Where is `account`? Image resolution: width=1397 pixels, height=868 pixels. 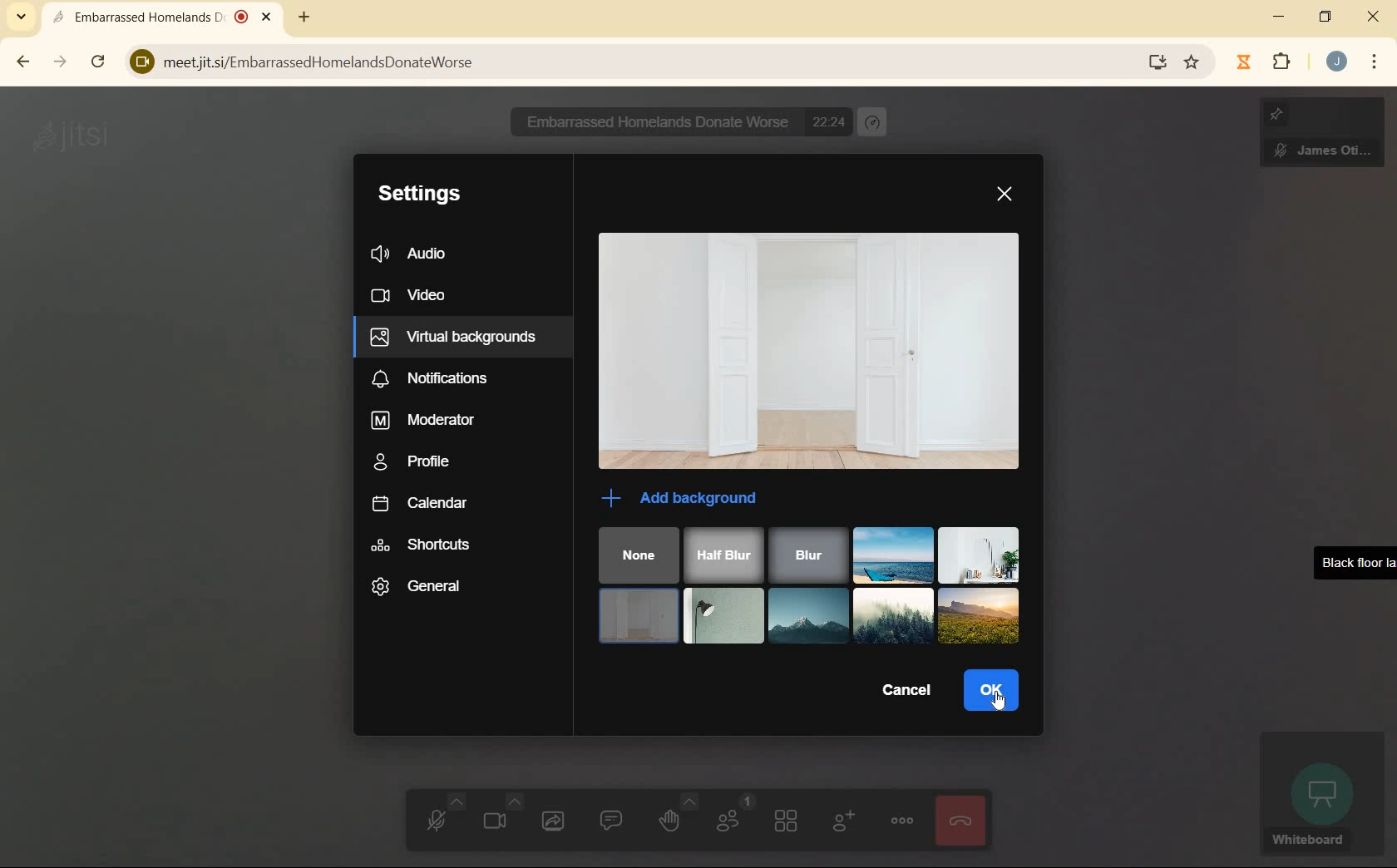
account is located at coordinates (1336, 61).